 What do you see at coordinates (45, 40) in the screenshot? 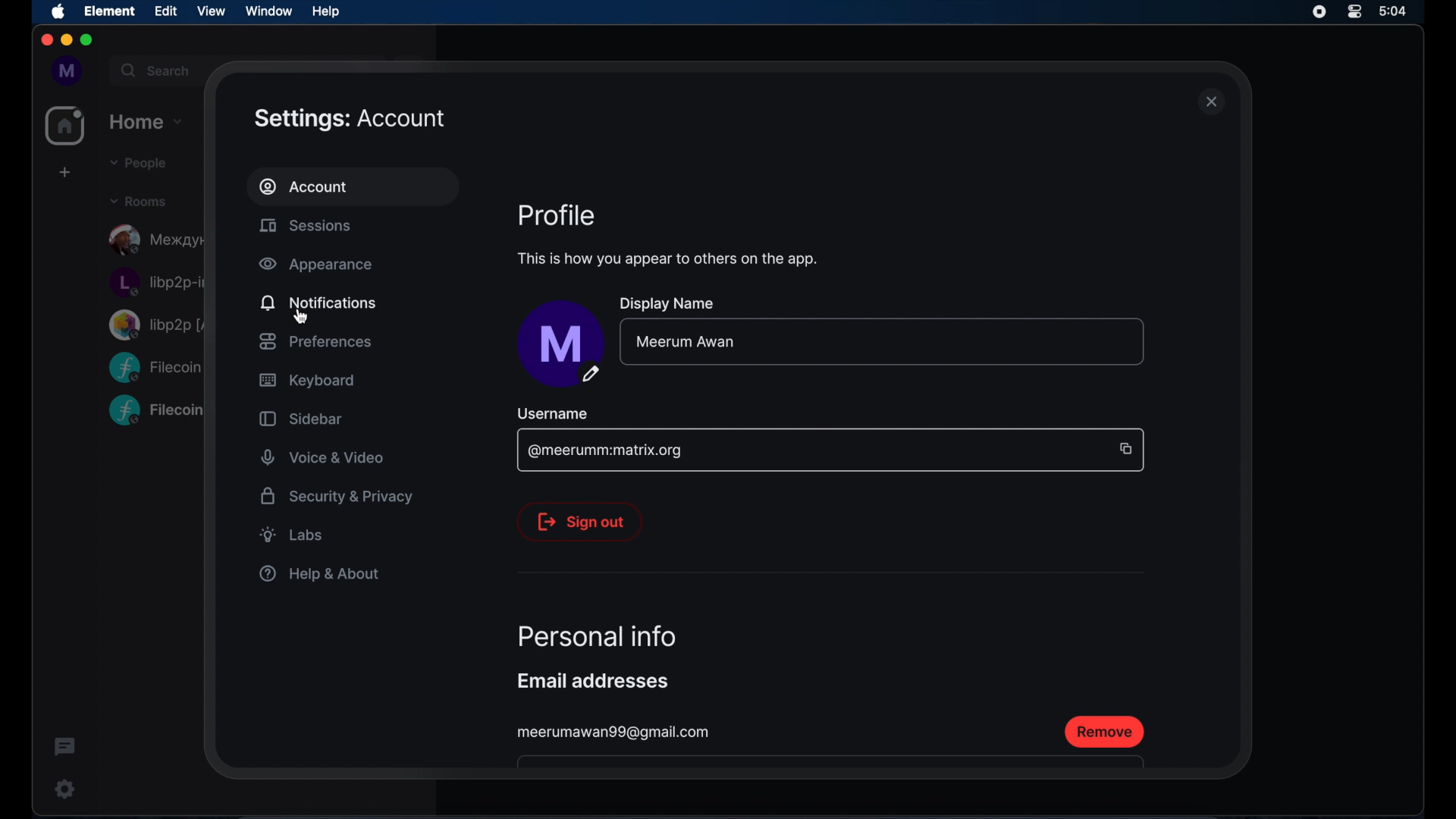
I see `close` at bounding box center [45, 40].